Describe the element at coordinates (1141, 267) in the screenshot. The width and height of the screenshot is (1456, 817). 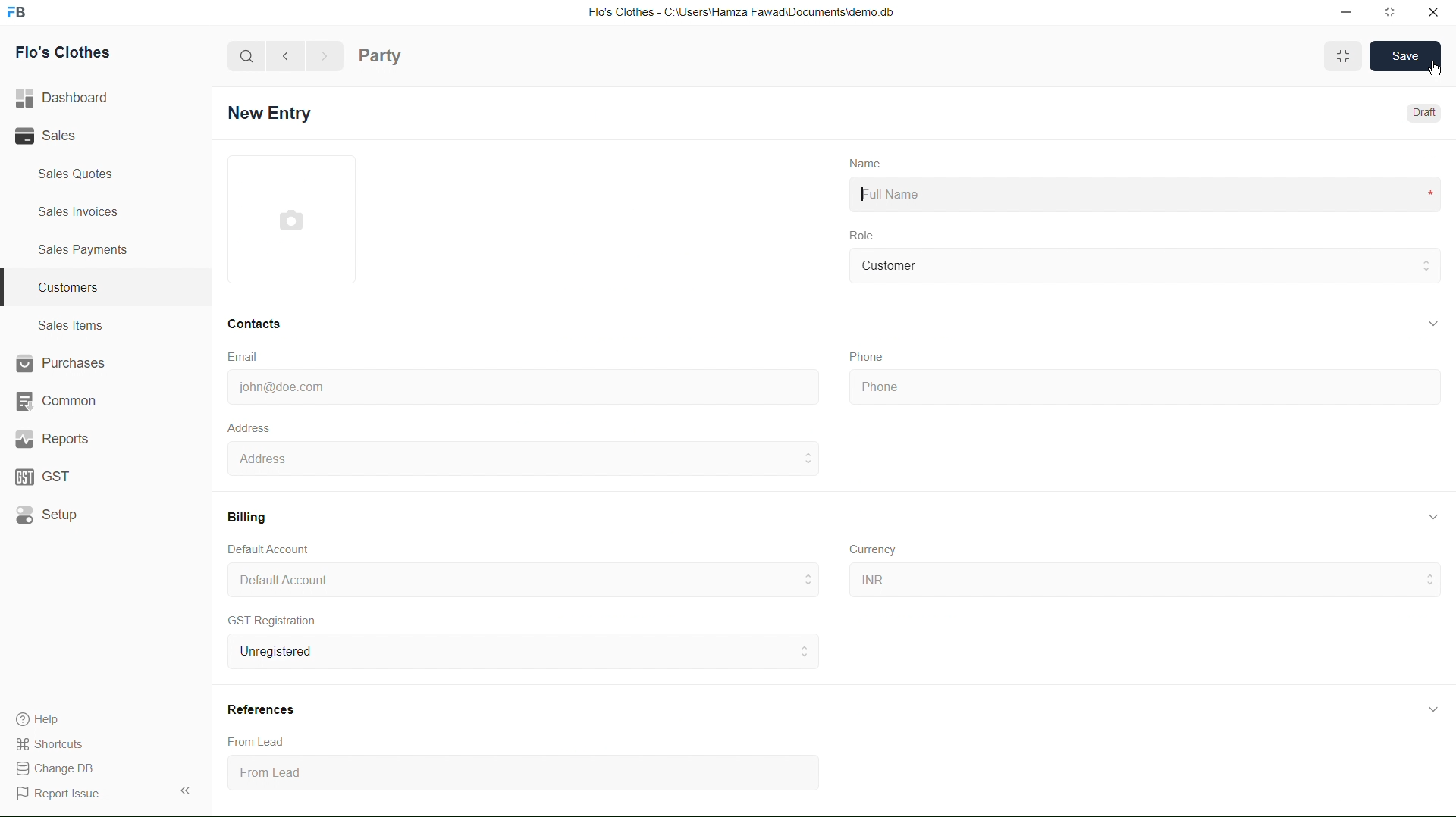
I see `Customer` at that location.